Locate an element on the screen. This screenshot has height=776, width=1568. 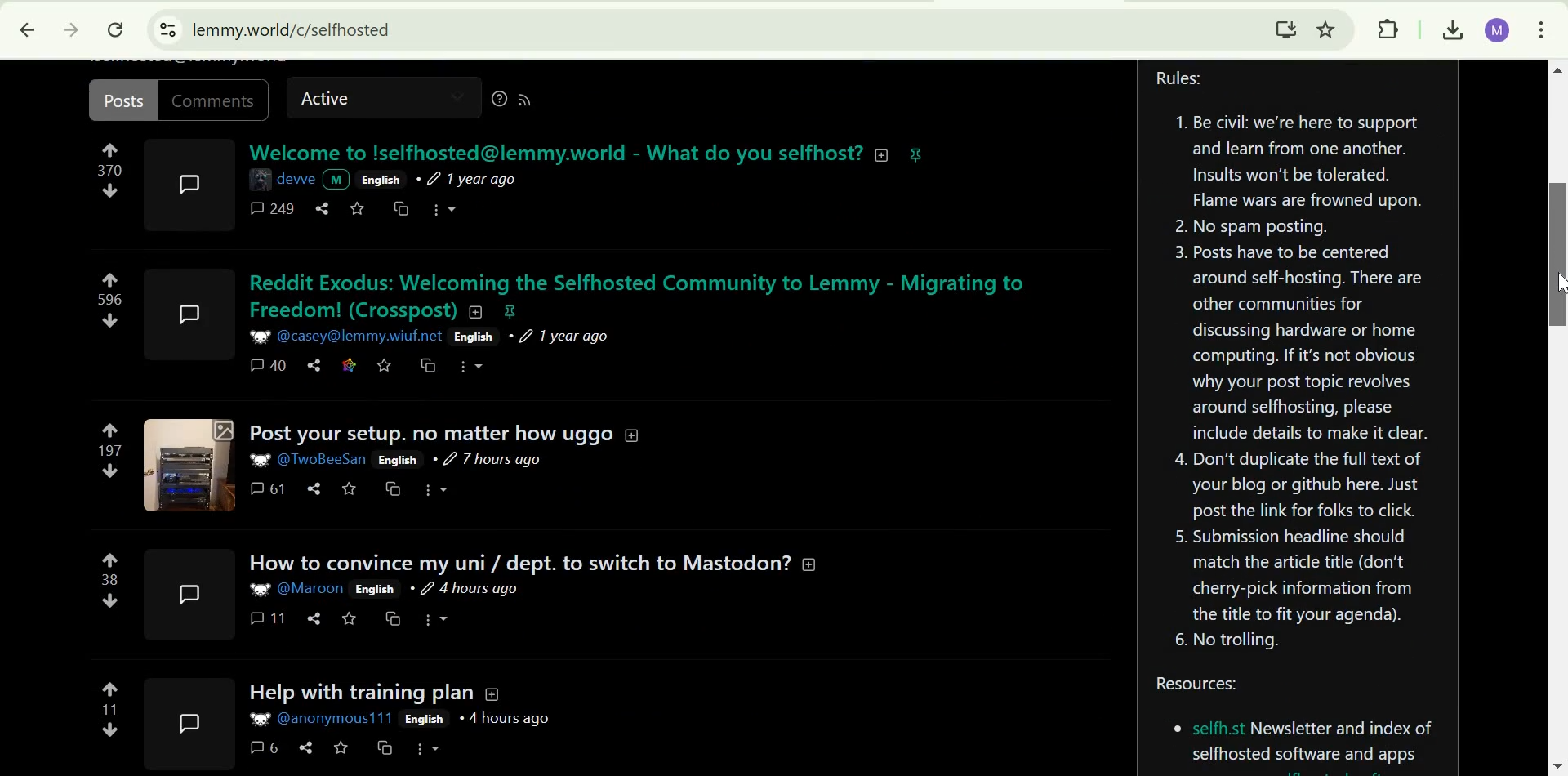
cursor is located at coordinates (1557, 283).